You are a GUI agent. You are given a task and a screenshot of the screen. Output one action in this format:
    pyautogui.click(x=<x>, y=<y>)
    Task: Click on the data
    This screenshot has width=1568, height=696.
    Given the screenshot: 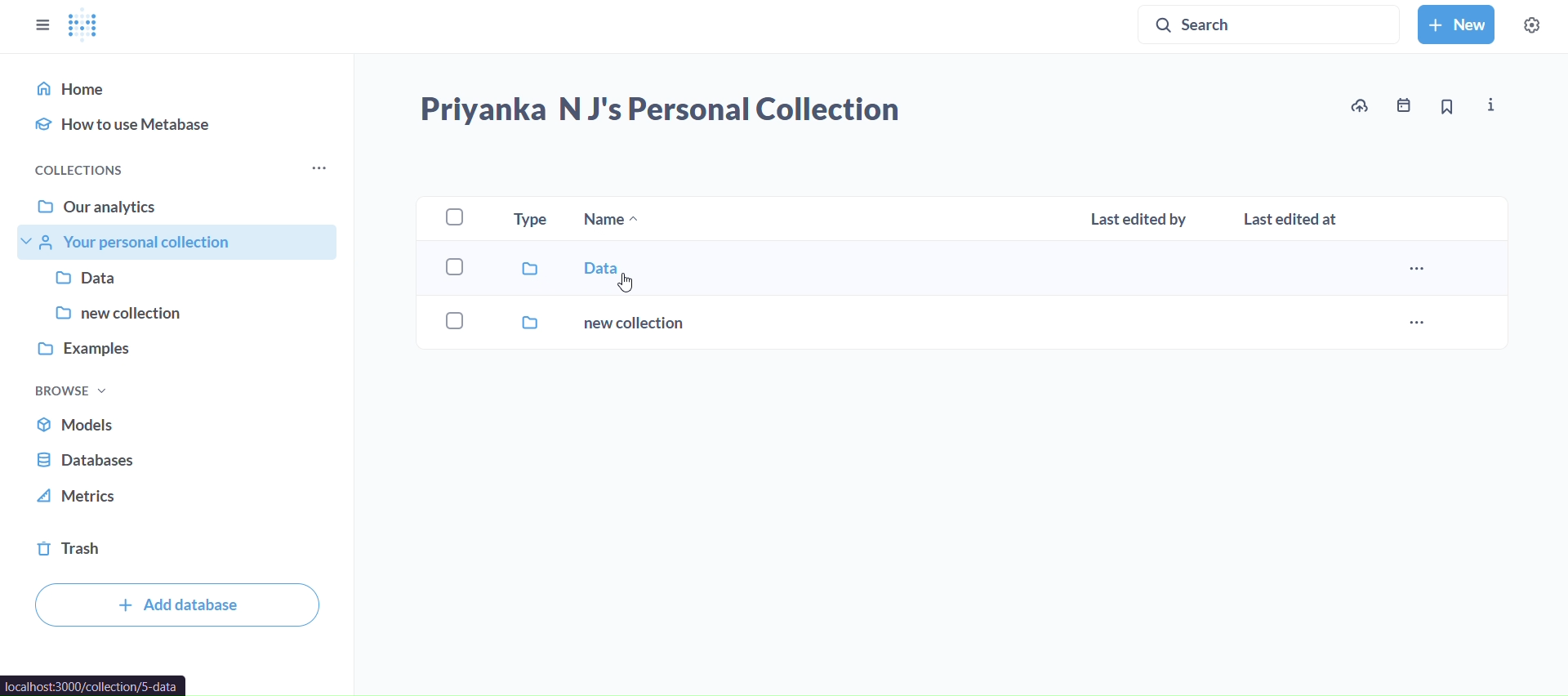 What is the action you would take?
    pyautogui.click(x=546, y=271)
    